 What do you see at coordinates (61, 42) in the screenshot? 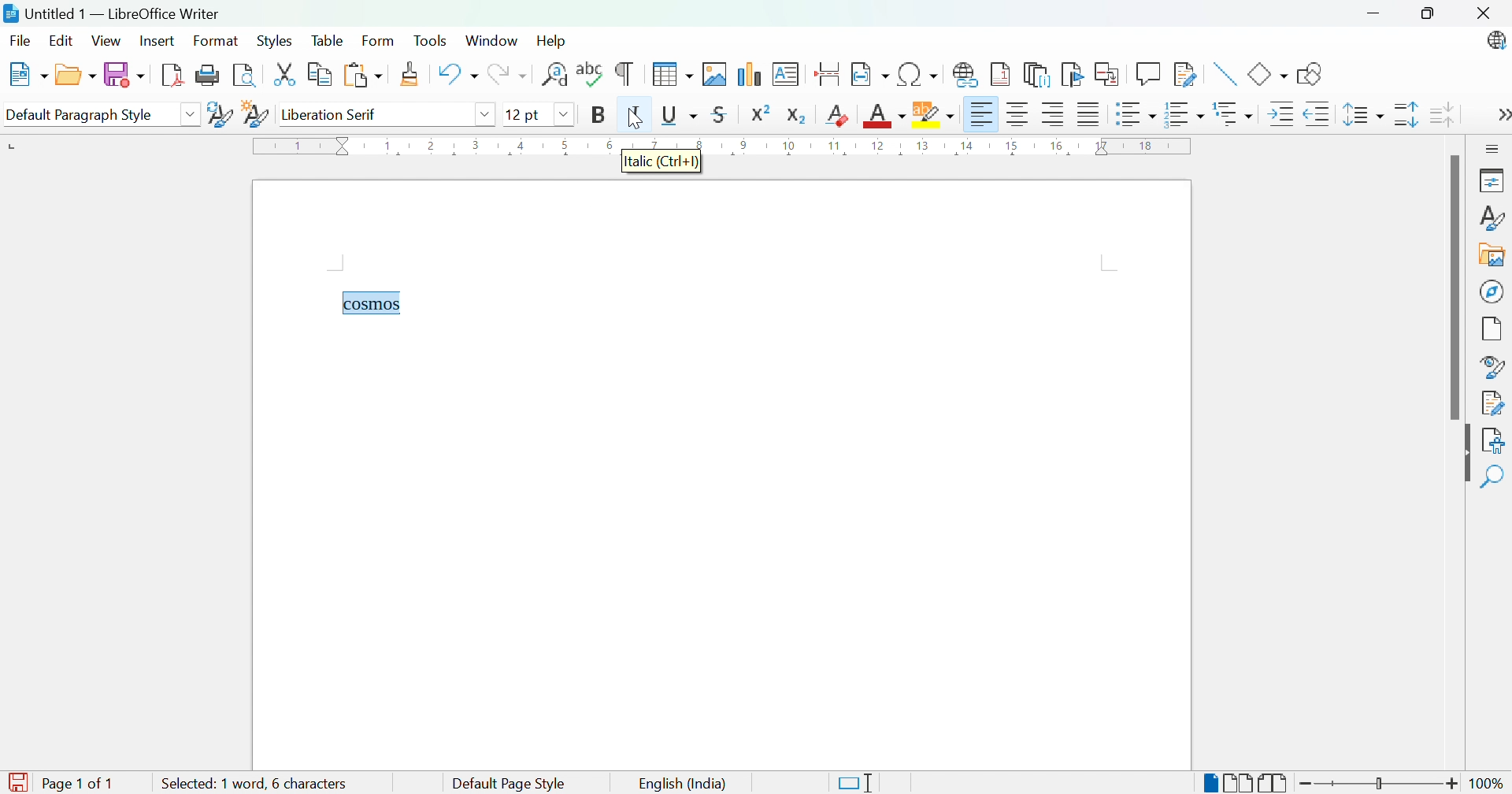
I see `Edit` at bounding box center [61, 42].